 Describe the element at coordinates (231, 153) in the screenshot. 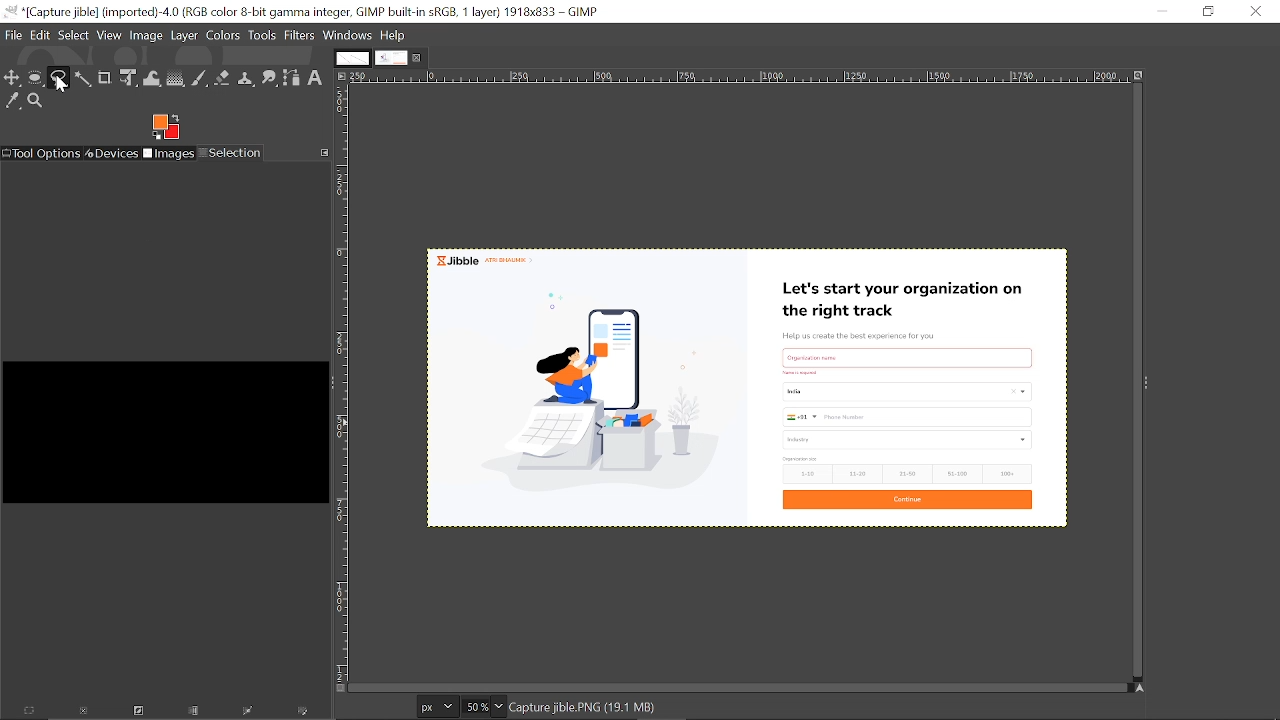

I see `Selection` at that location.